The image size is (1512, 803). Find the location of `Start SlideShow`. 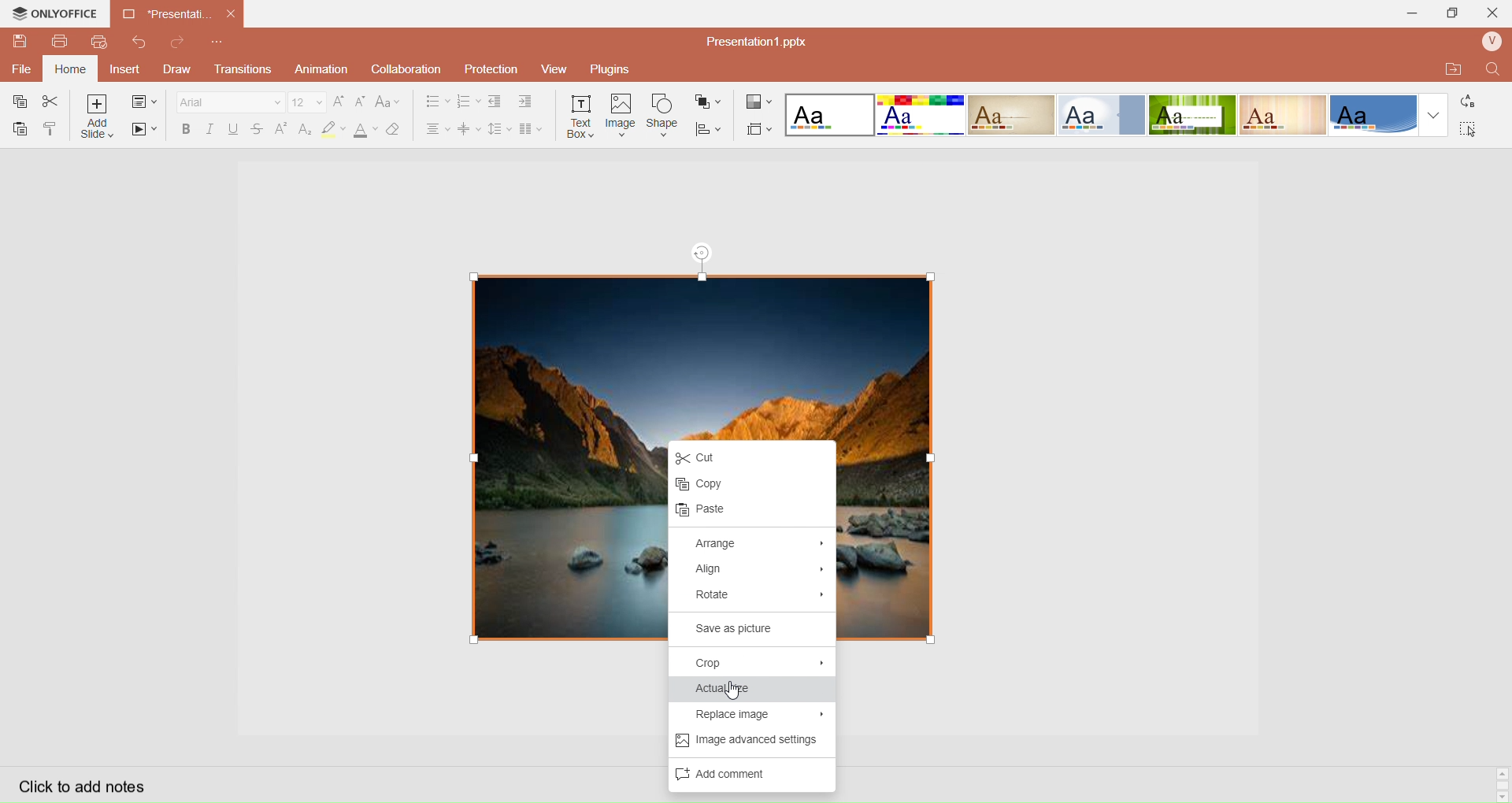

Start SlideShow is located at coordinates (146, 129).